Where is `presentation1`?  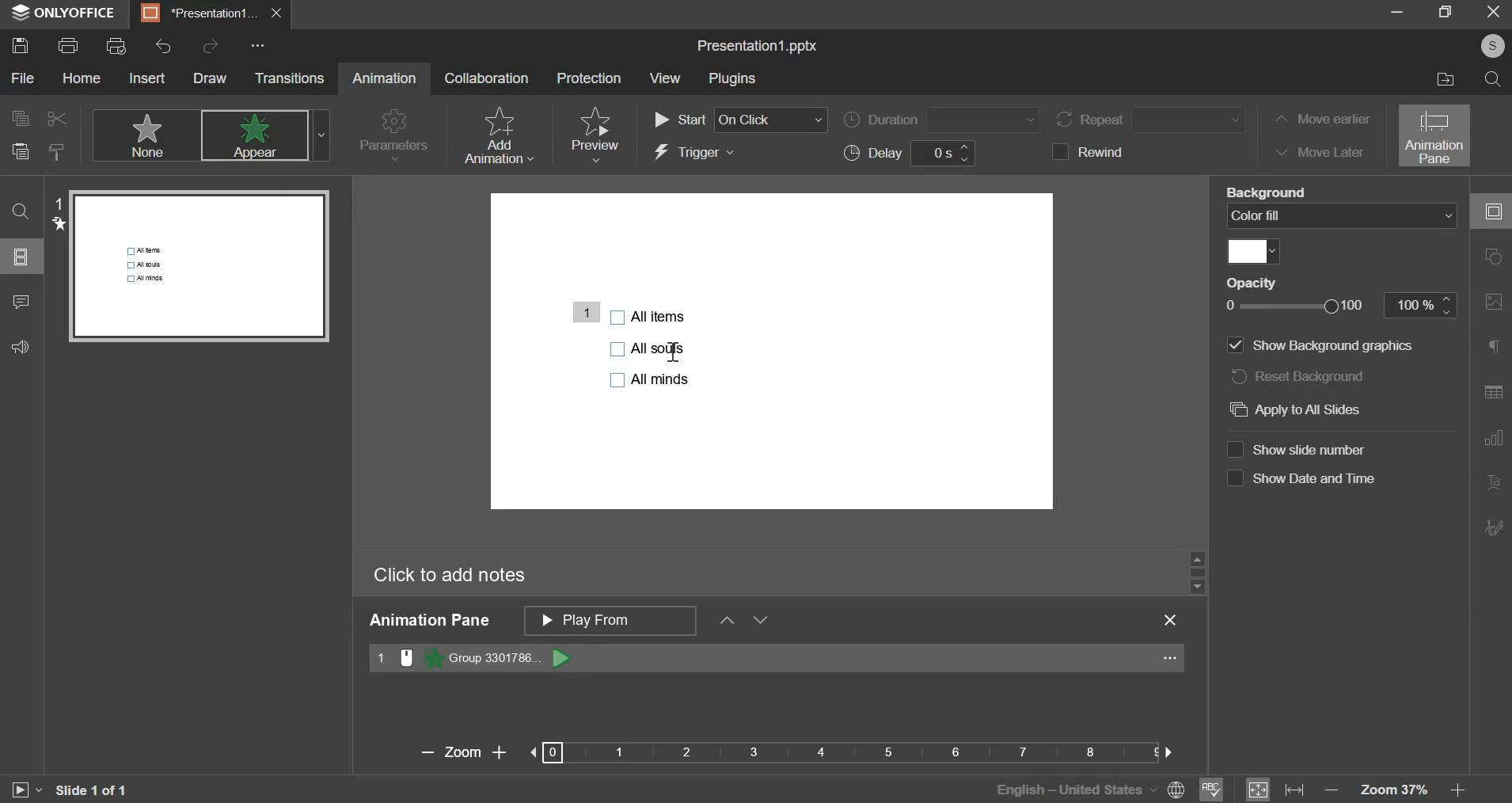 presentation1 is located at coordinates (195, 13).